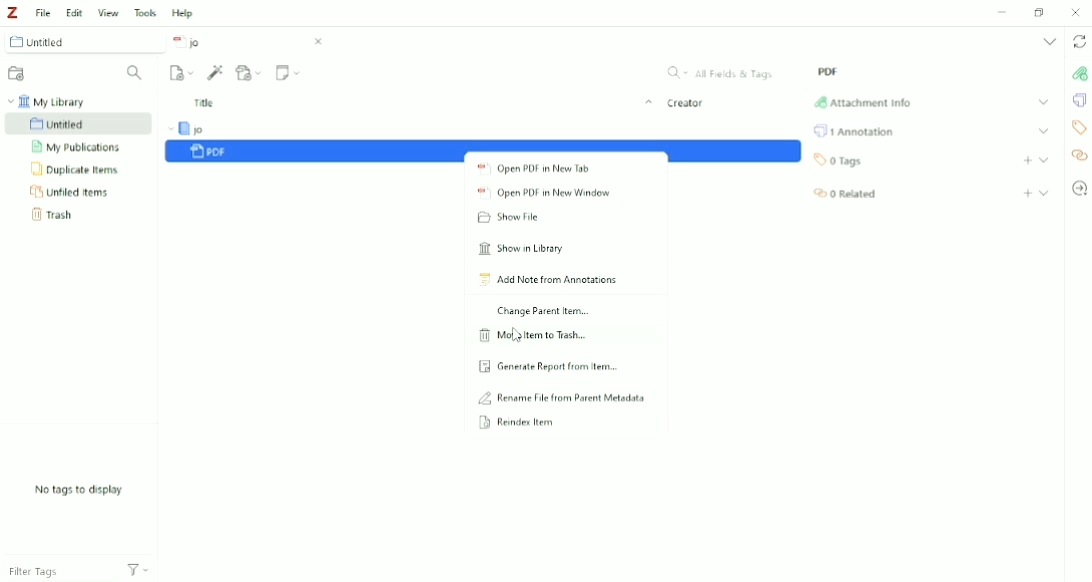 The height and width of the screenshot is (582, 1092). Describe the element at coordinates (997, 11) in the screenshot. I see `Minimize` at that location.